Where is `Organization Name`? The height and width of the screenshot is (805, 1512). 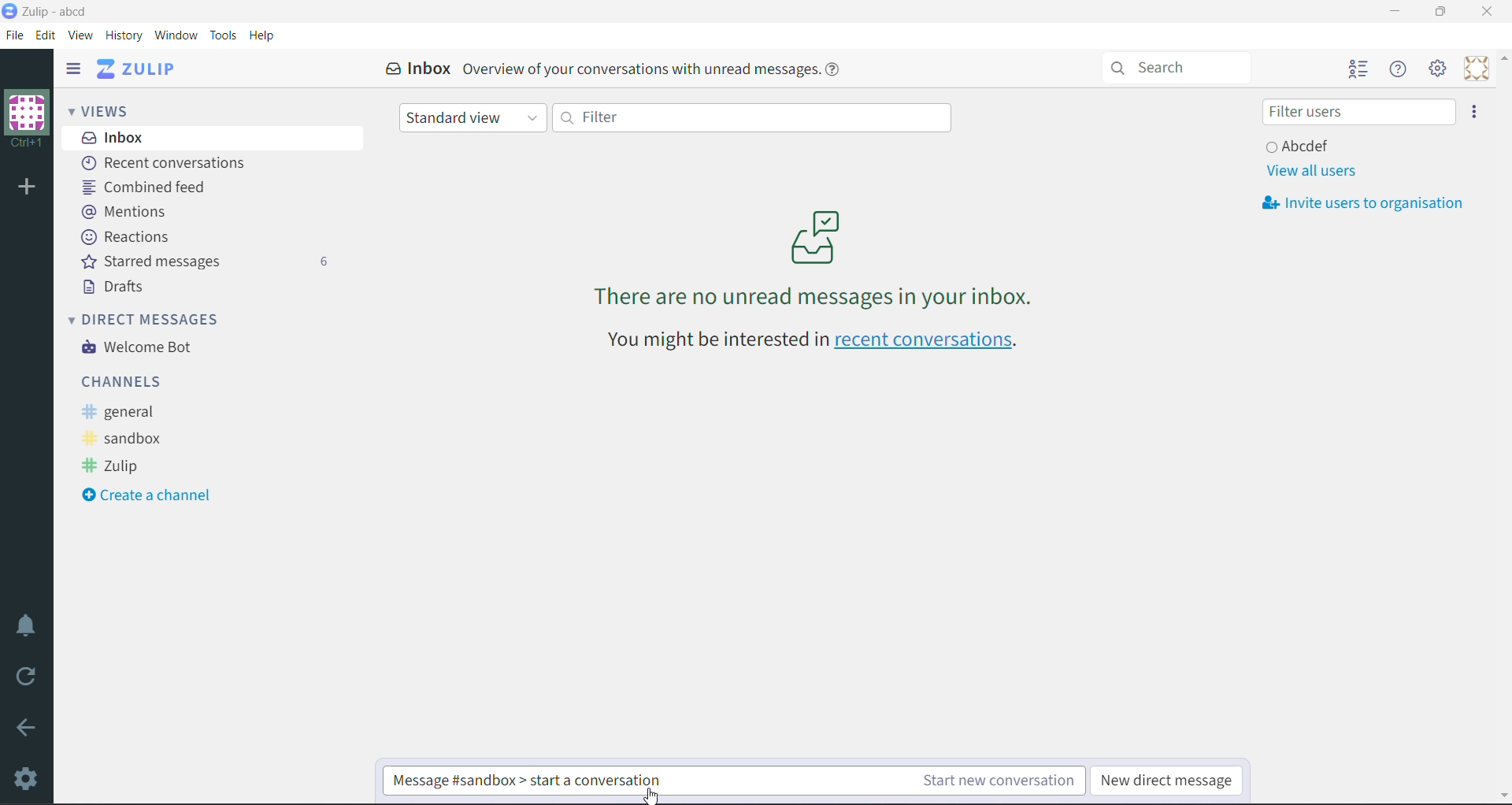
Organization Name is located at coordinates (27, 119).